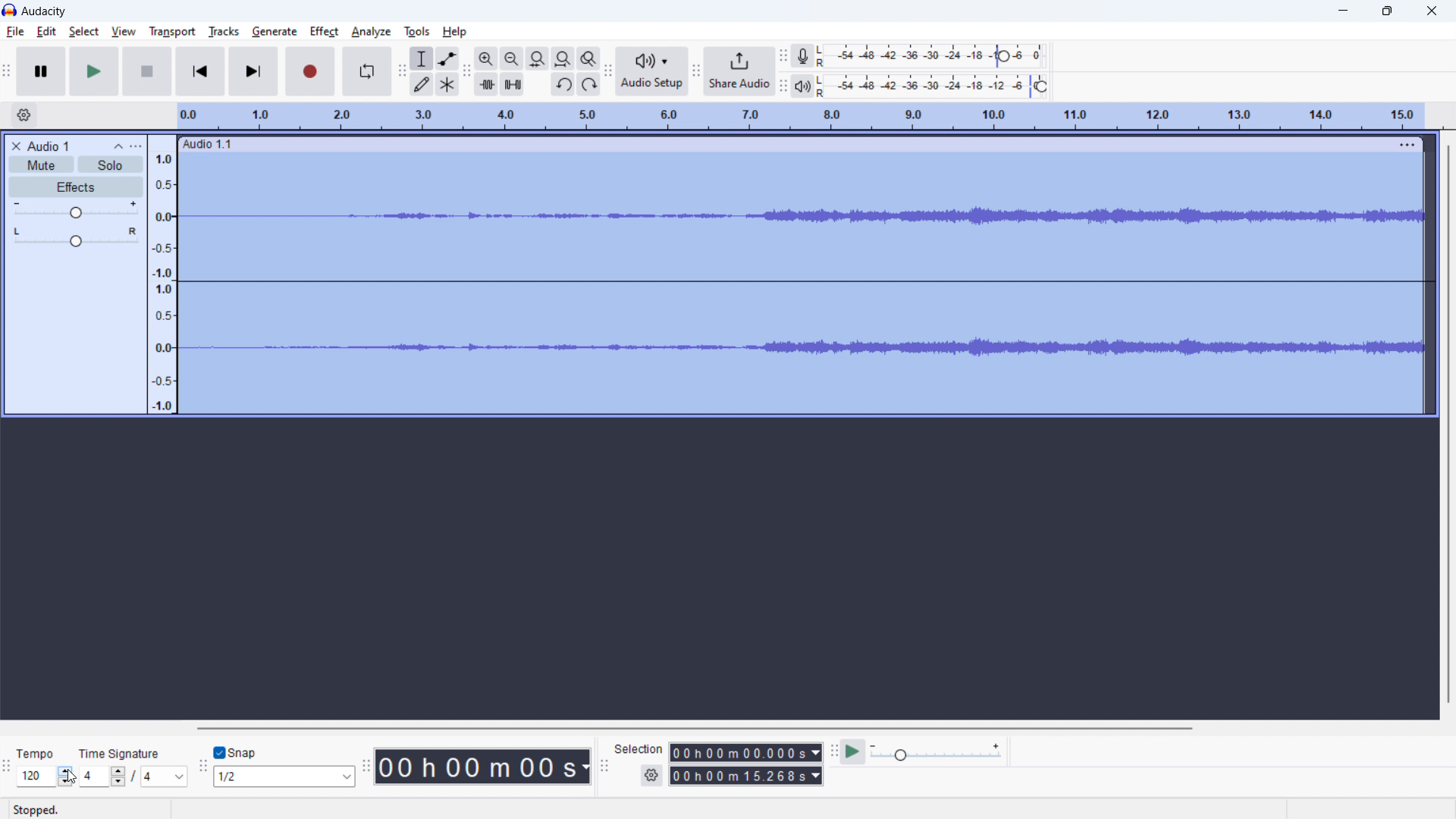  I want to click on view menu, so click(1407, 144).